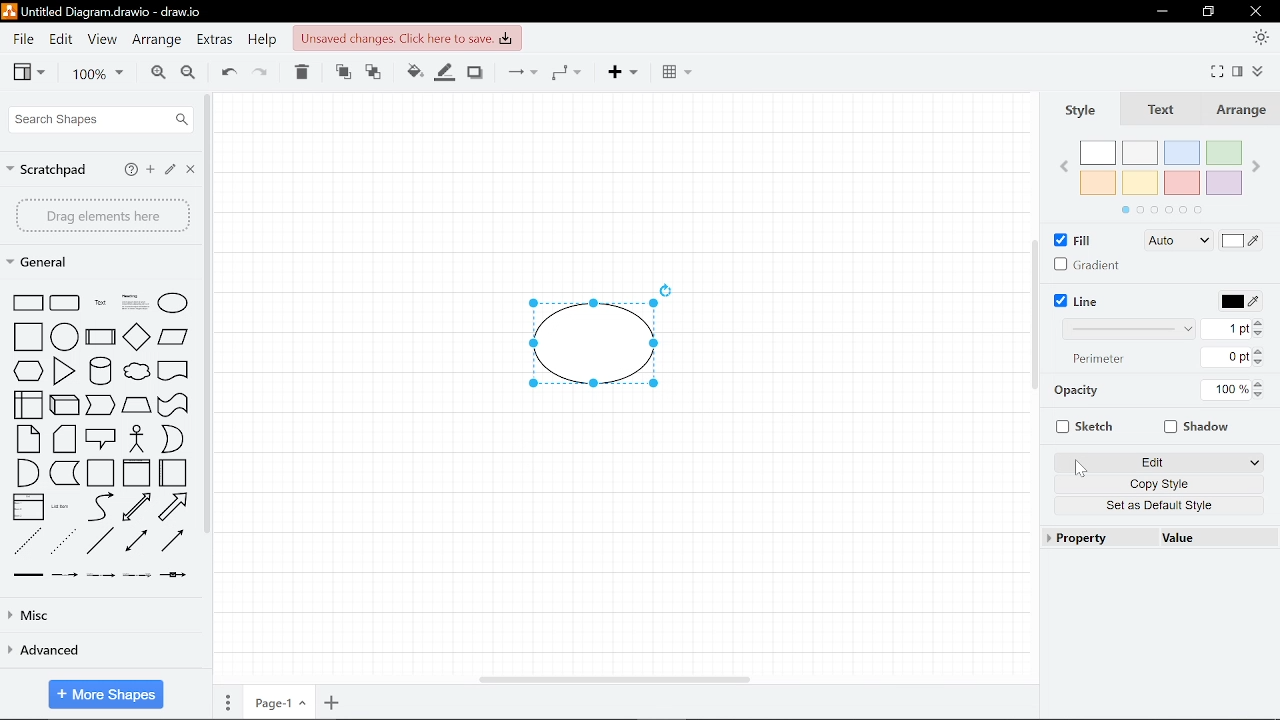 The image size is (1280, 720). Describe the element at coordinates (23, 38) in the screenshot. I see `File` at that location.